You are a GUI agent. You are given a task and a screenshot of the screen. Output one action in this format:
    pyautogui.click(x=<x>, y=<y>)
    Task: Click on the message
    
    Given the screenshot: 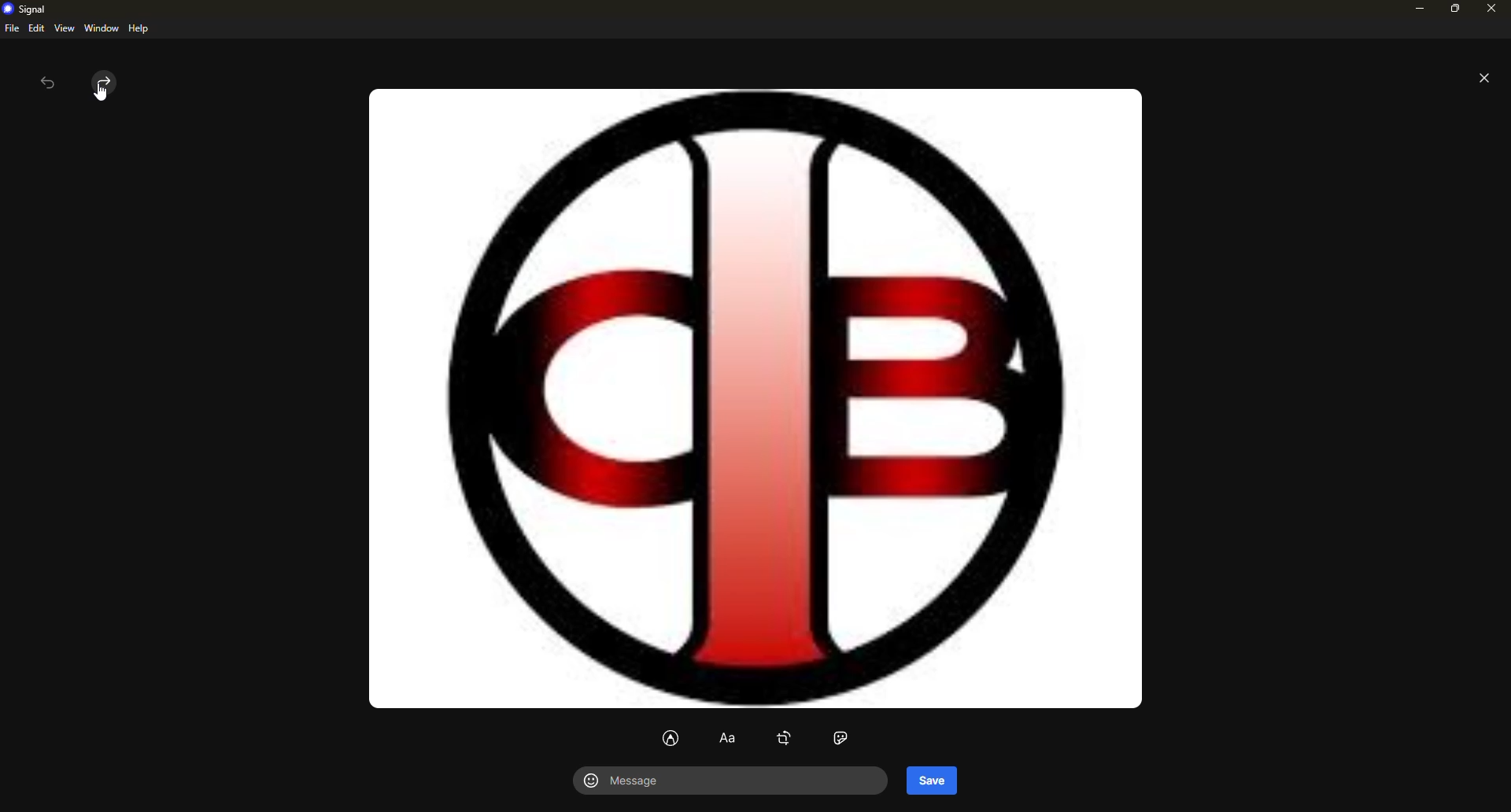 What is the action you would take?
    pyautogui.click(x=631, y=782)
    